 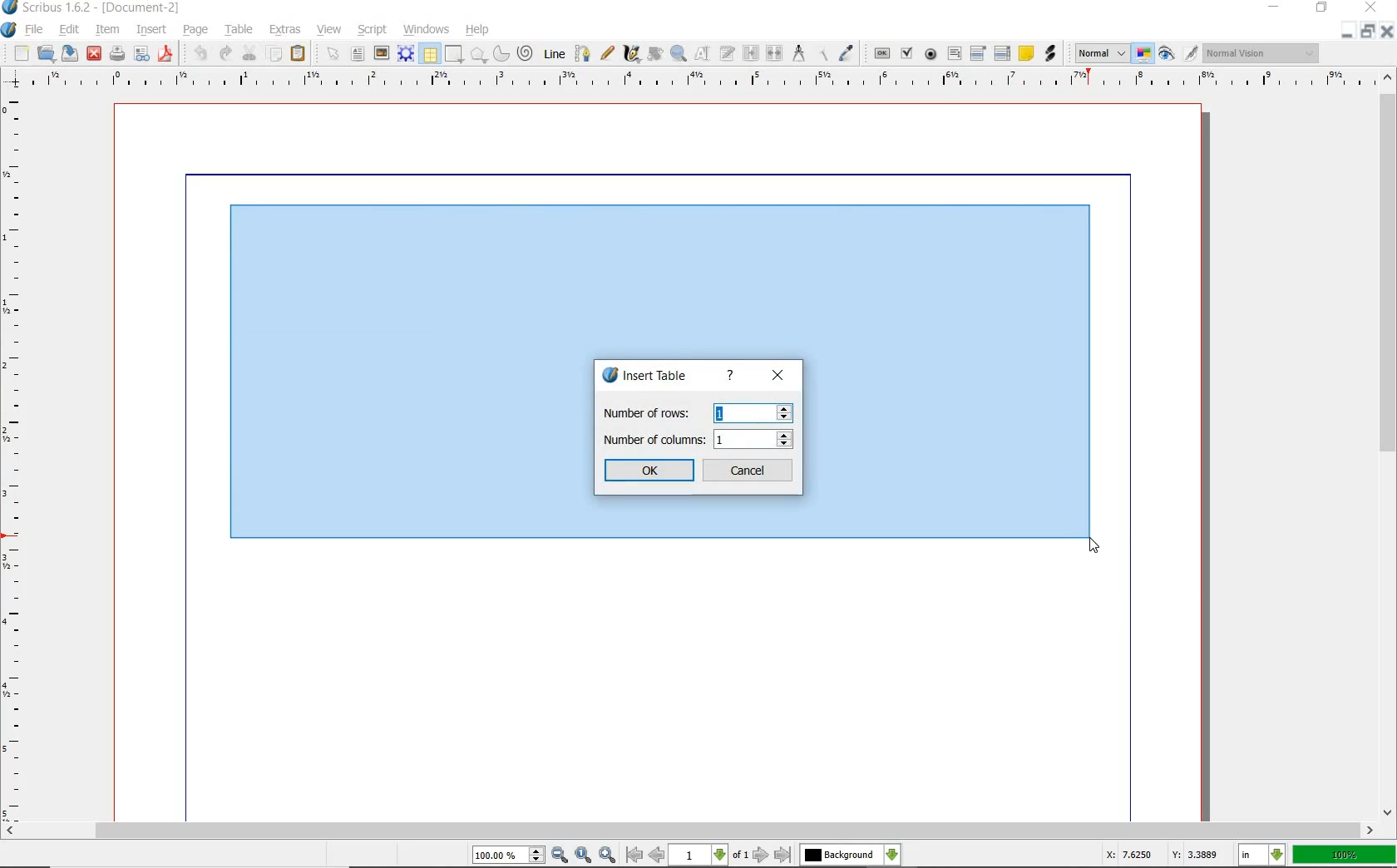 I want to click on go to previous page, so click(x=658, y=856).